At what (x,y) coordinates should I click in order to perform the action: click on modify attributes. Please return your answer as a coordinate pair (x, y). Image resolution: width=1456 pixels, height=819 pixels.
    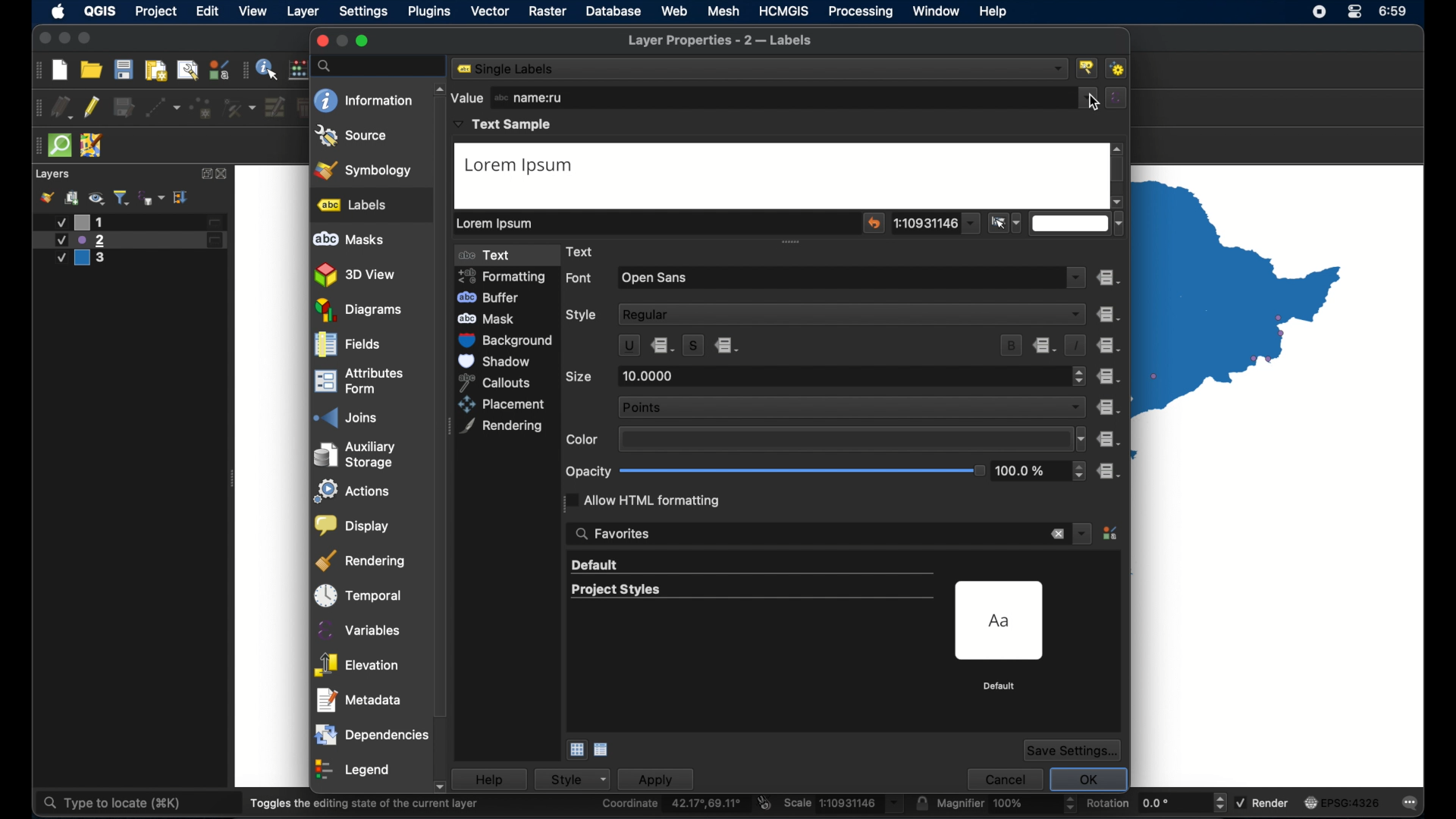
    Looking at the image, I should click on (275, 107).